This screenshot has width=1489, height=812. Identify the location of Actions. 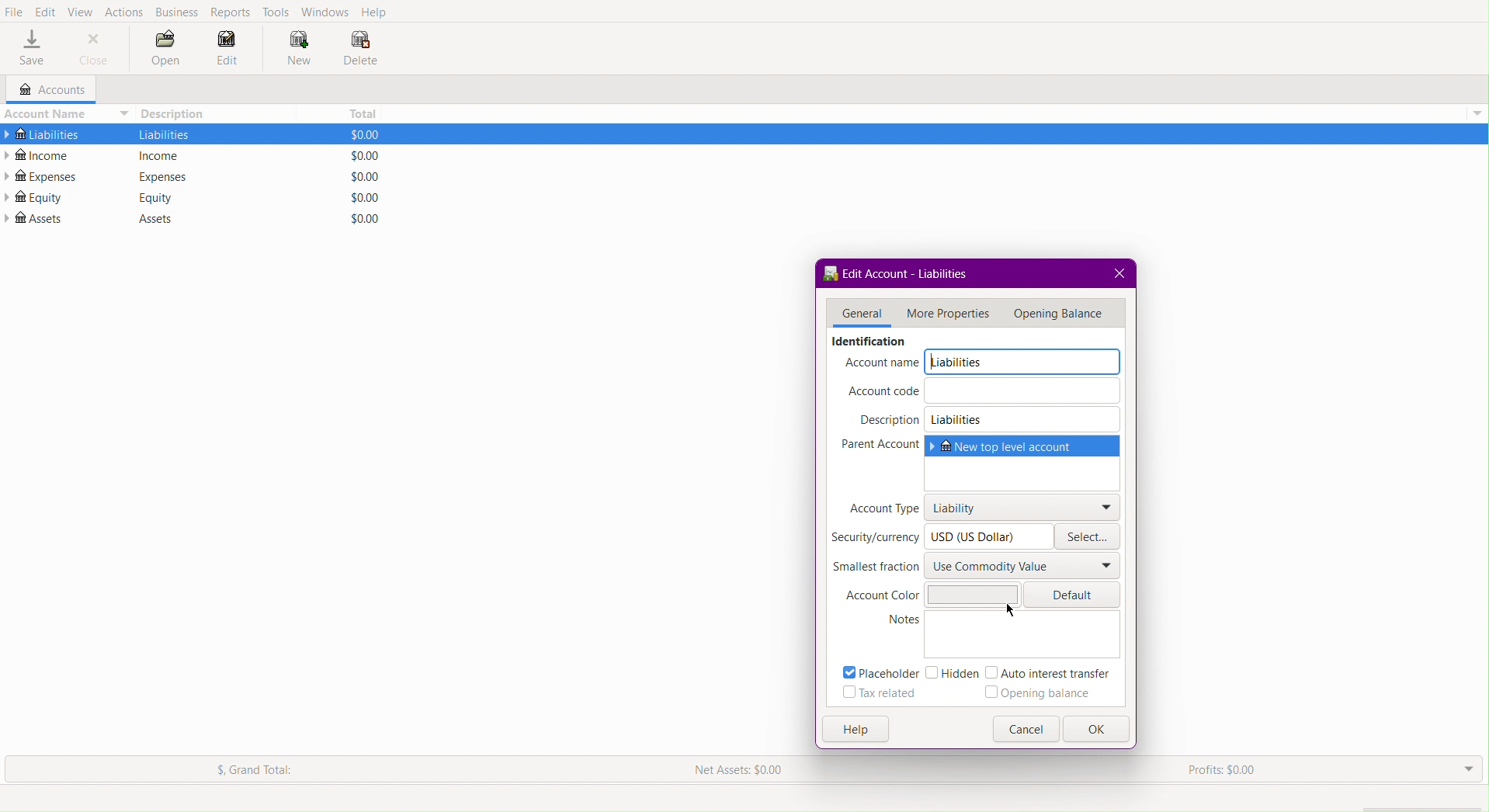
(124, 10).